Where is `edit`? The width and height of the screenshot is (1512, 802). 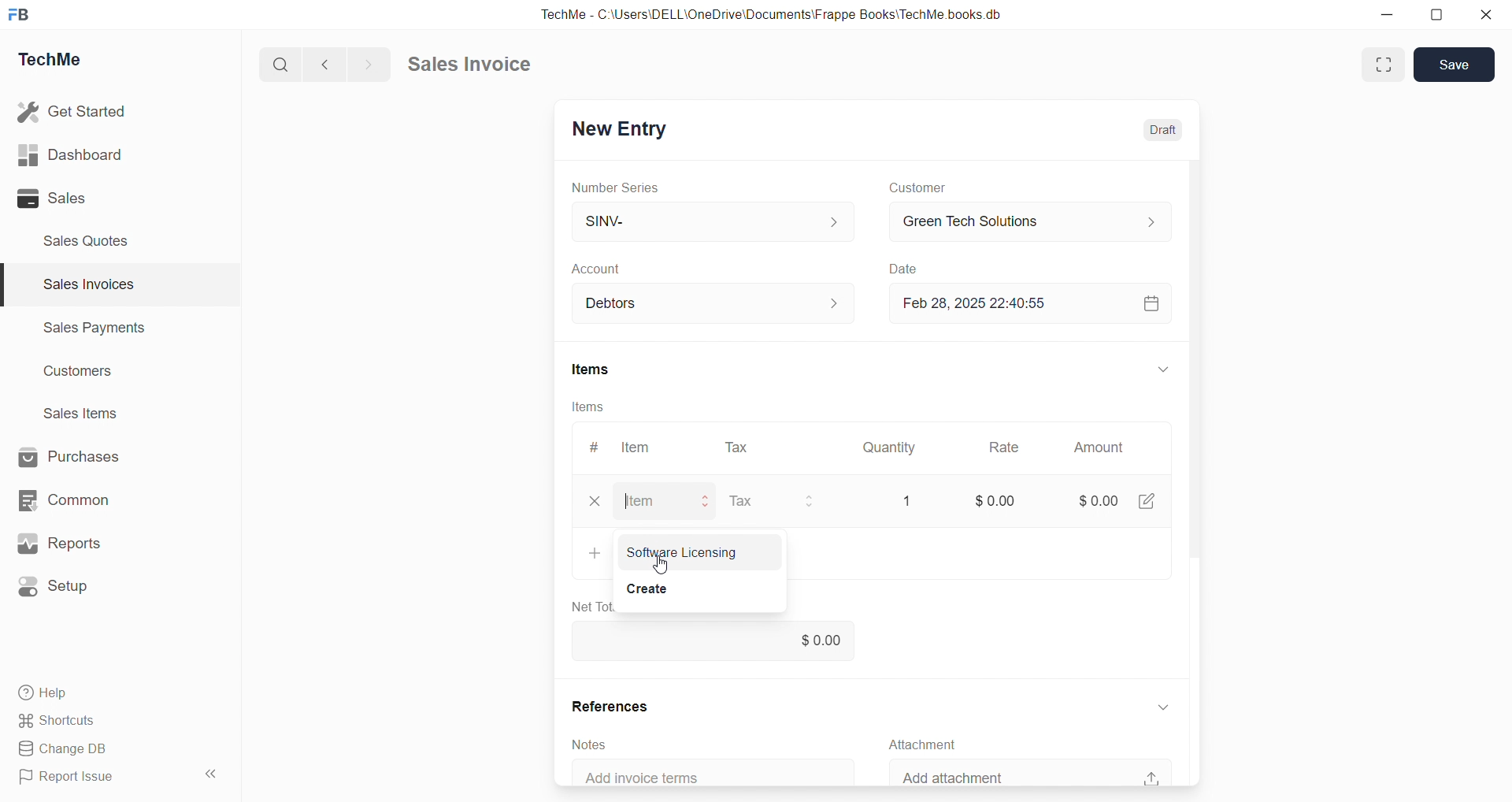
edit is located at coordinates (1146, 499).